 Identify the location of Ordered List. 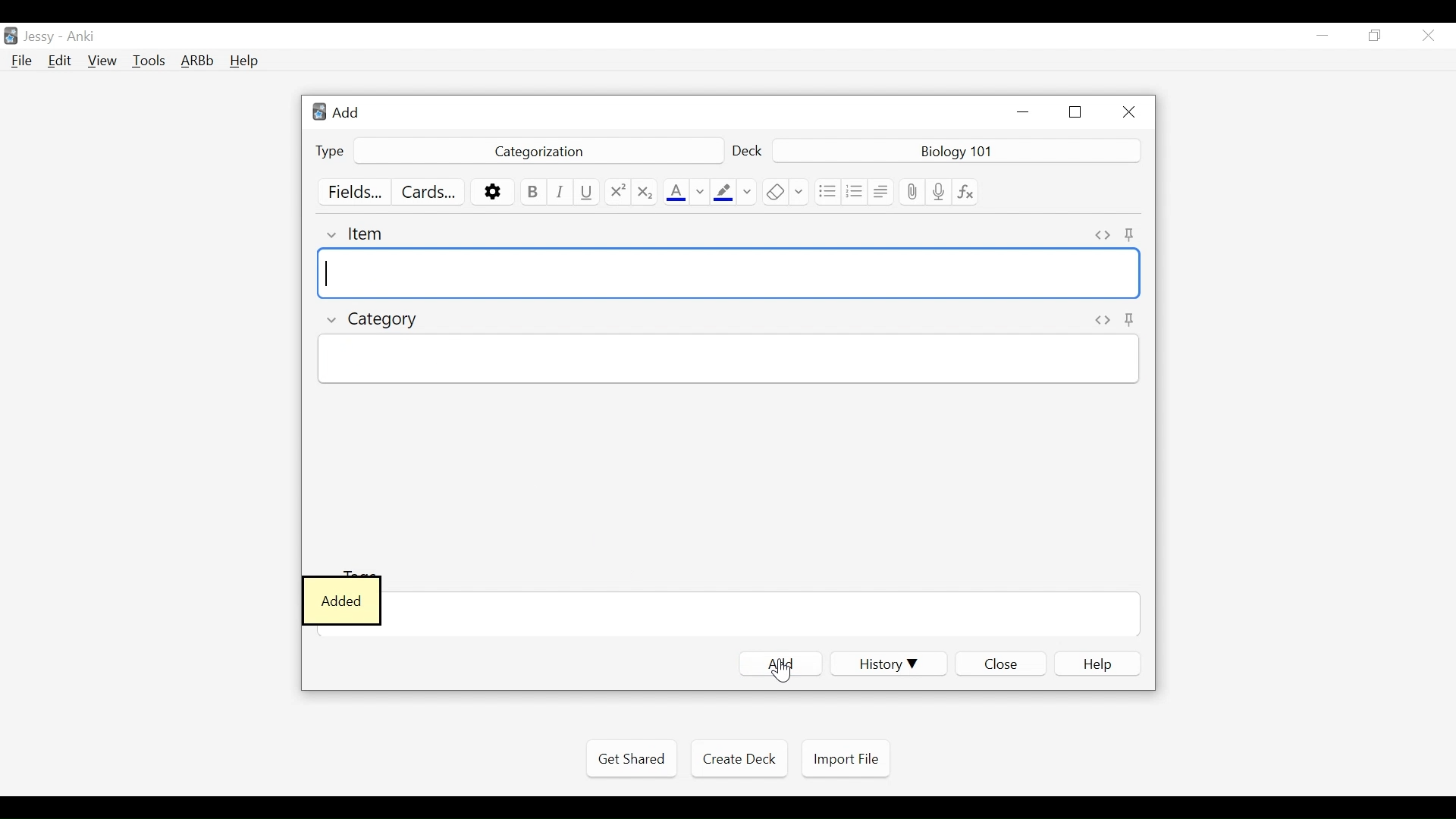
(855, 193).